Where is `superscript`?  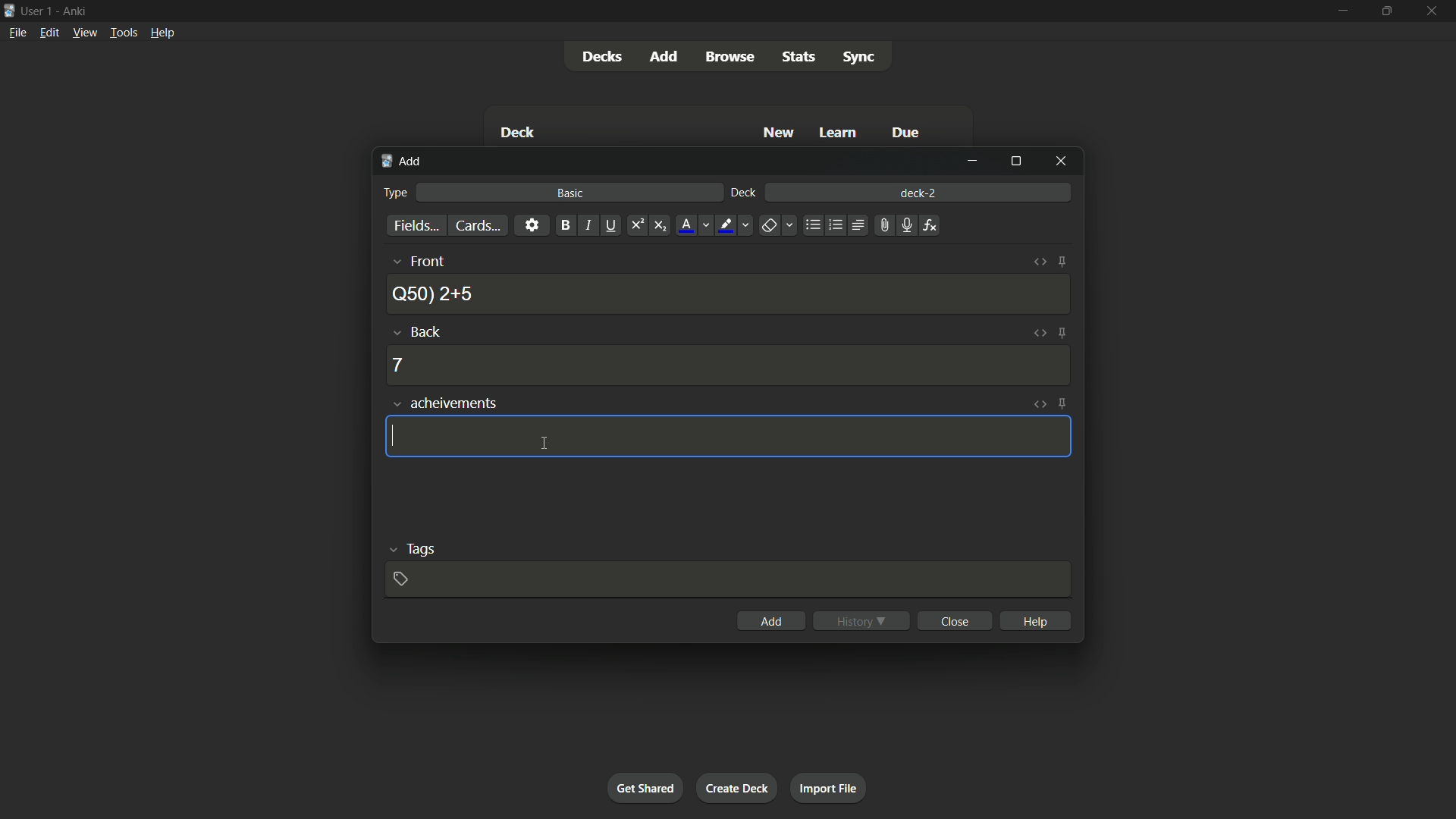 superscript is located at coordinates (636, 225).